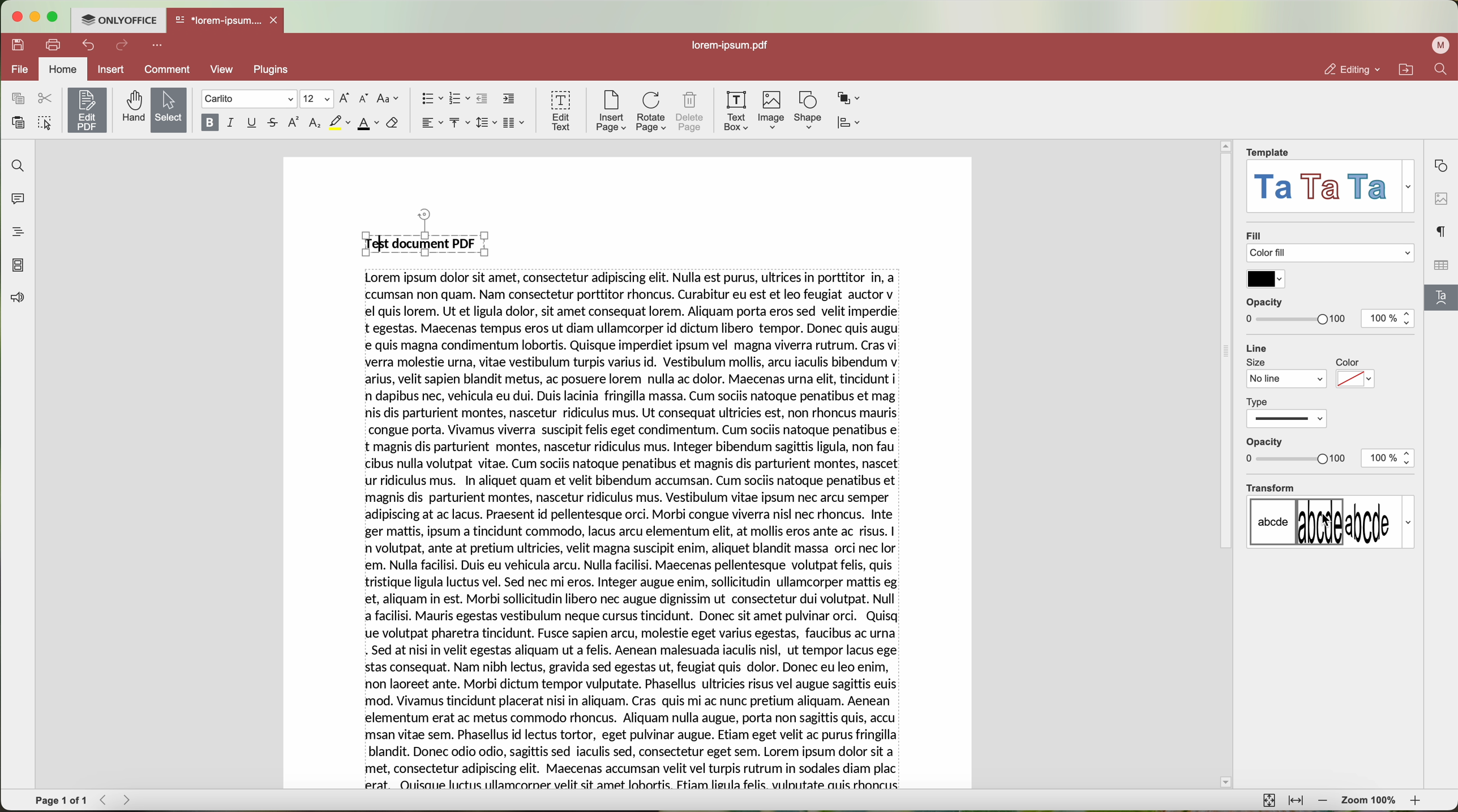  I want to click on fit to width, so click(1296, 801).